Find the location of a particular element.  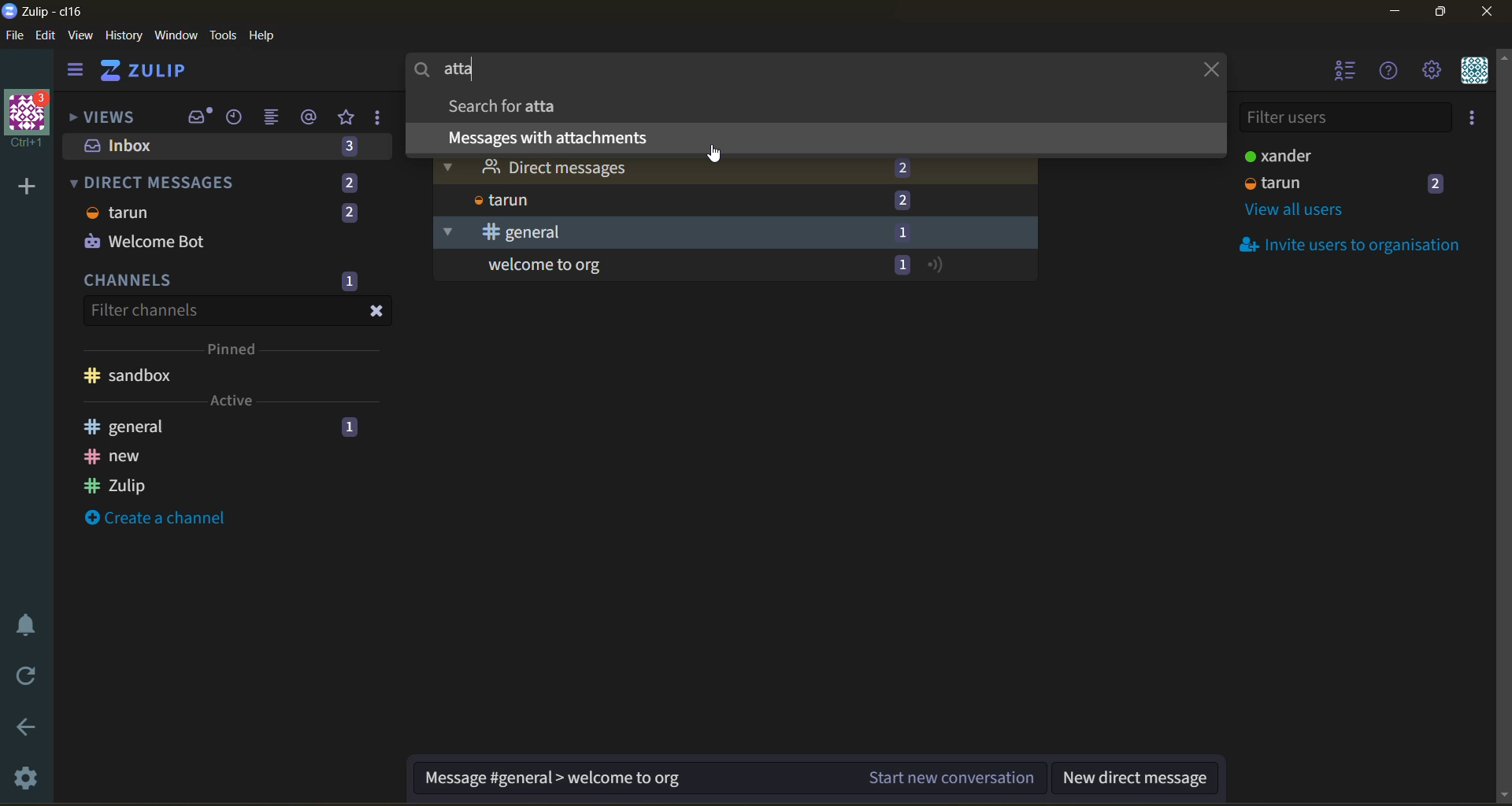

close is located at coordinates (1209, 68).